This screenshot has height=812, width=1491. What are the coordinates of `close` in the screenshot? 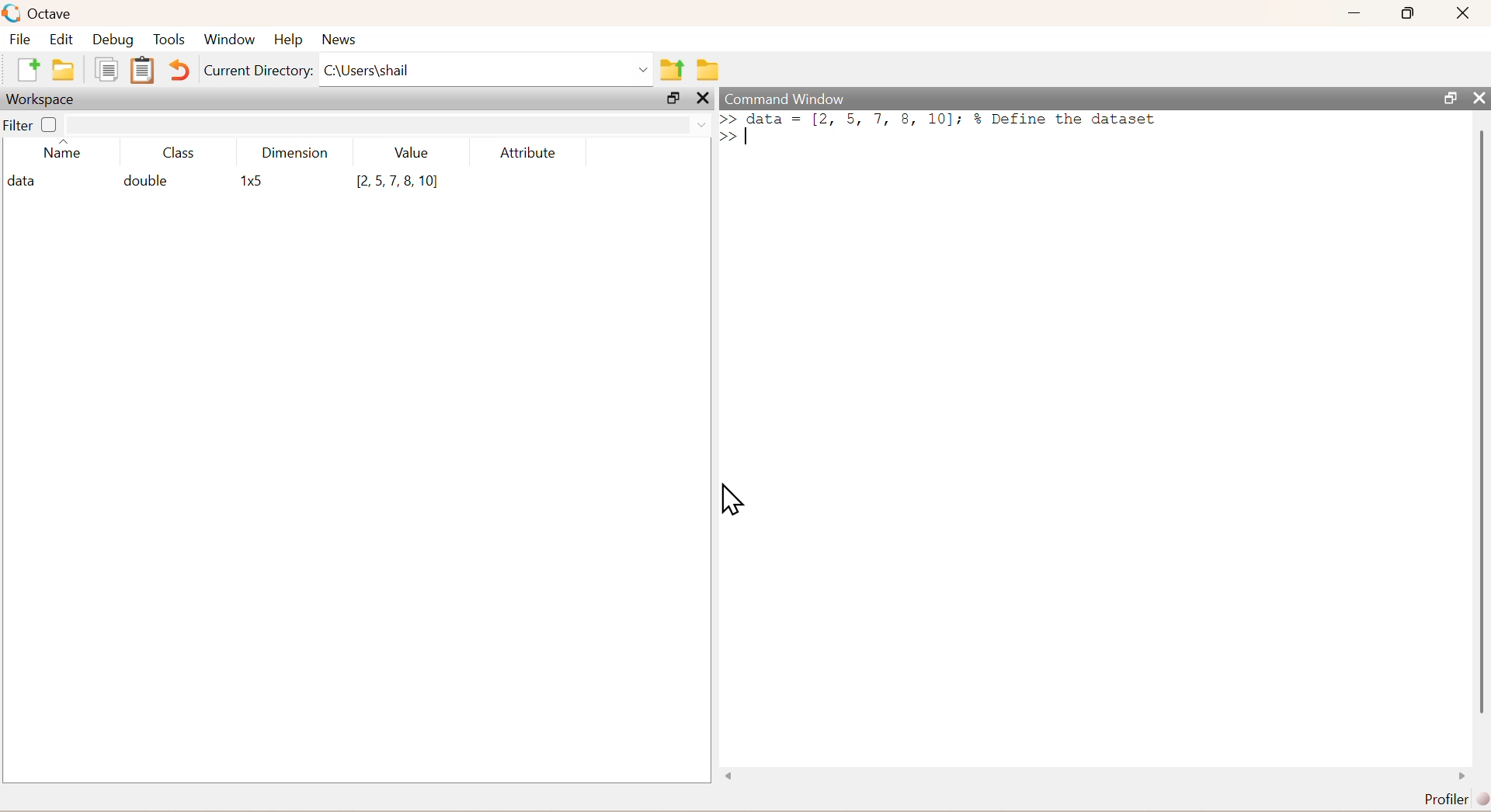 It's located at (1465, 12).